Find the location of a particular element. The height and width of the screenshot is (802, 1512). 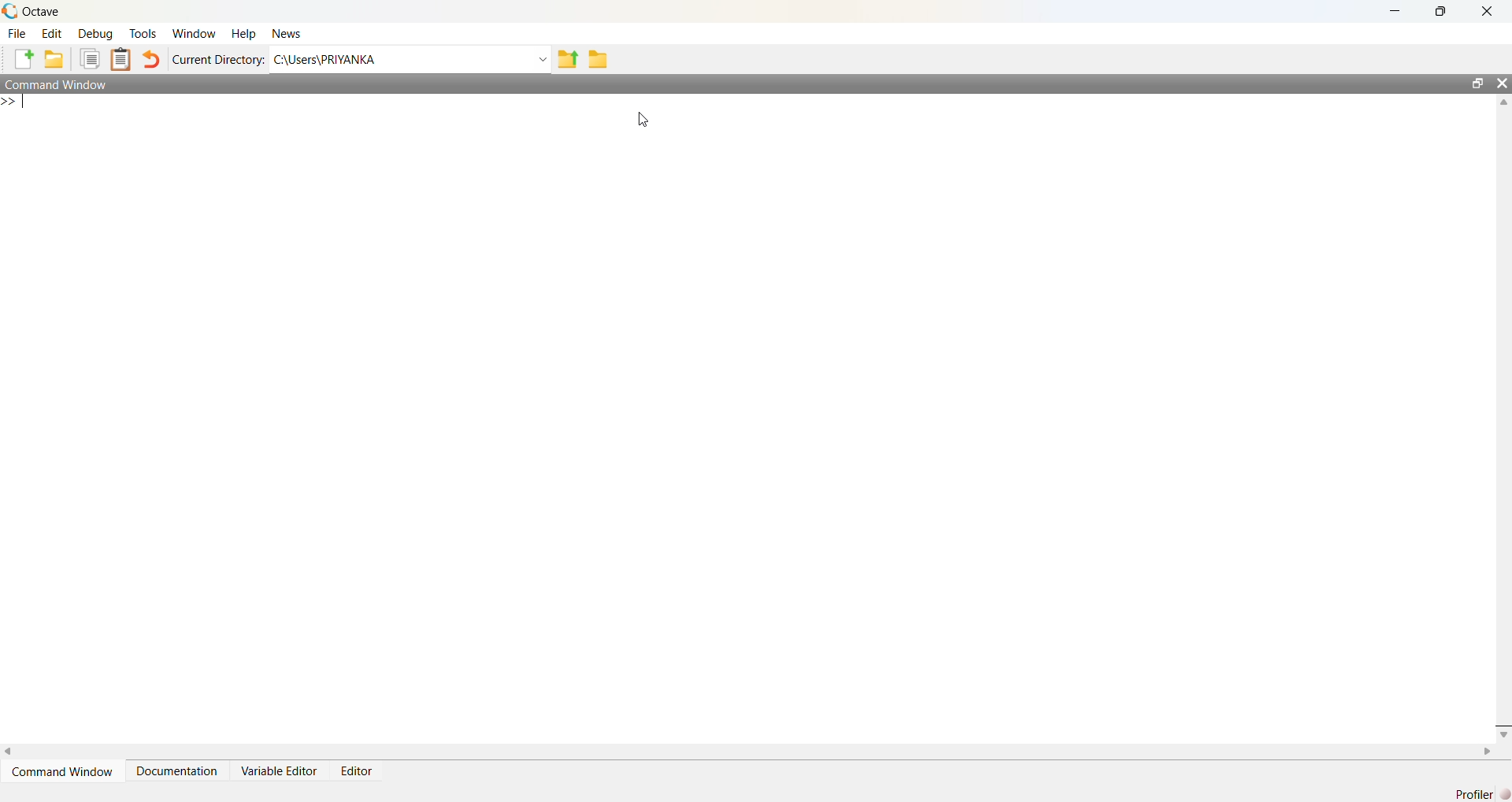

News is located at coordinates (287, 33).